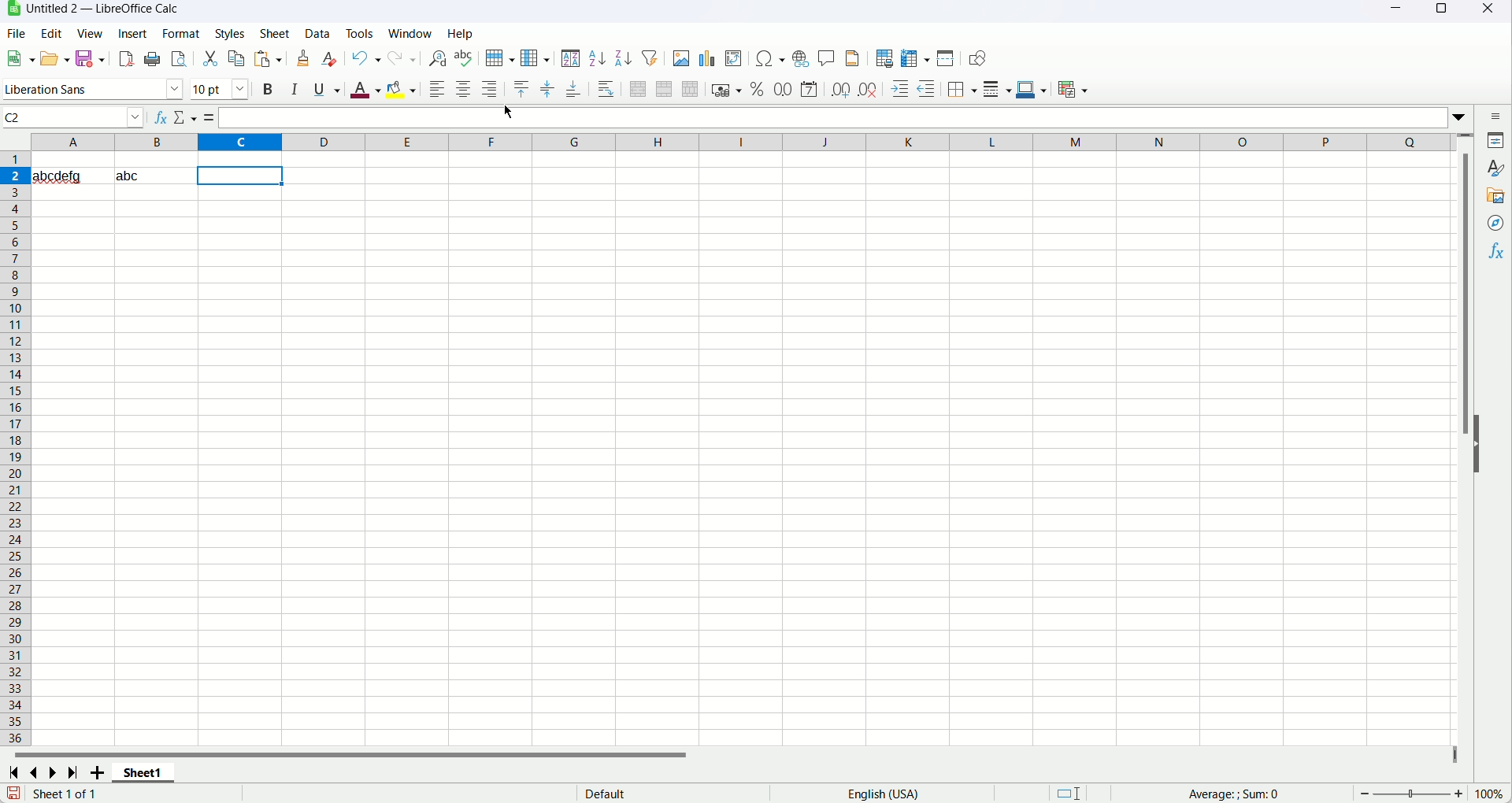 This screenshot has width=1512, height=803. Describe the element at coordinates (852, 58) in the screenshot. I see `header and footer` at that location.